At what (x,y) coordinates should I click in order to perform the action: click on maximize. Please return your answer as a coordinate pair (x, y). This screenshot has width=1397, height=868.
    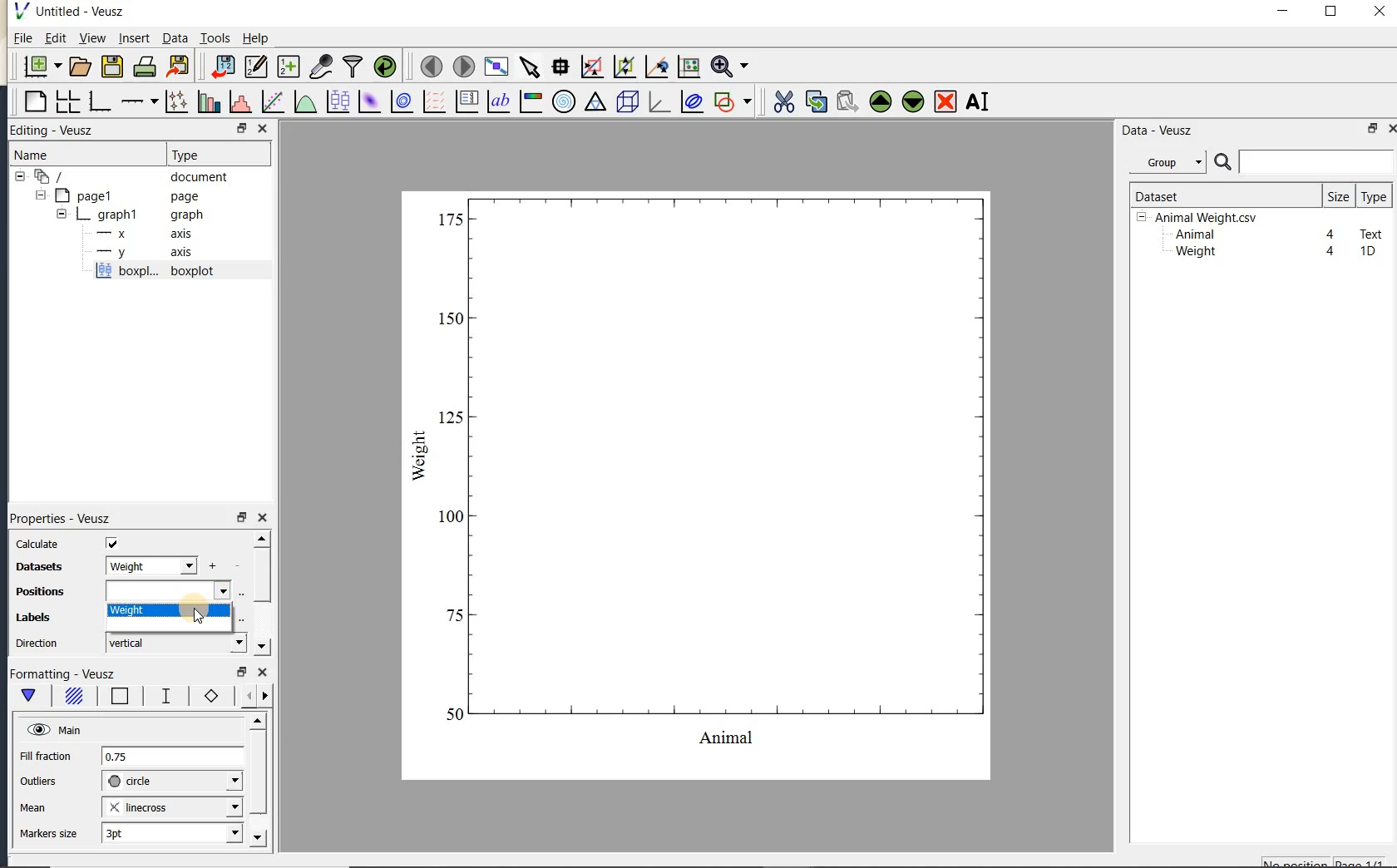
    Looking at the image, I should click on (1331, 12).